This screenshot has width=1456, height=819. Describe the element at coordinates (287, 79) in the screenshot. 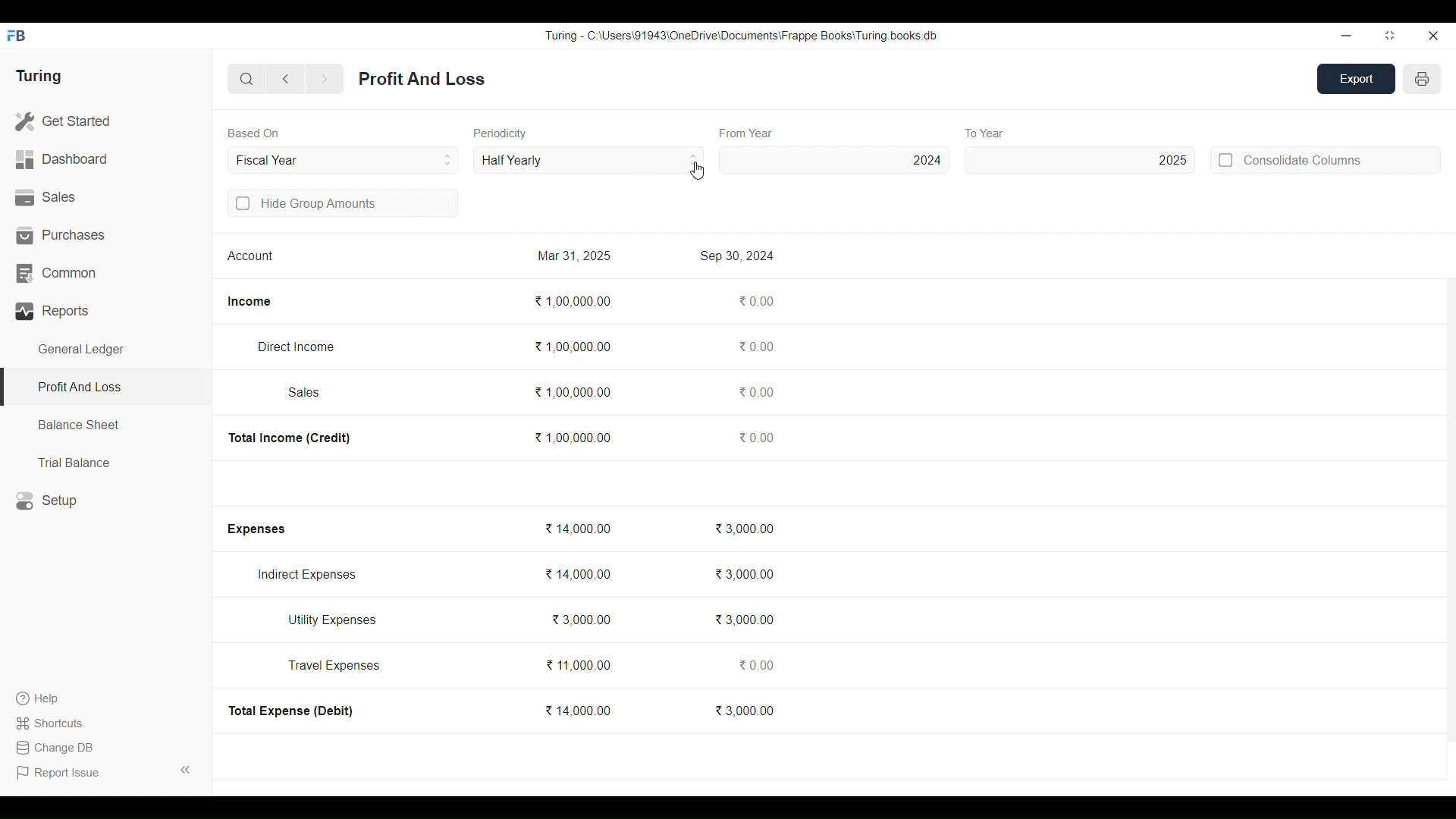

I see `Previous` at that location.